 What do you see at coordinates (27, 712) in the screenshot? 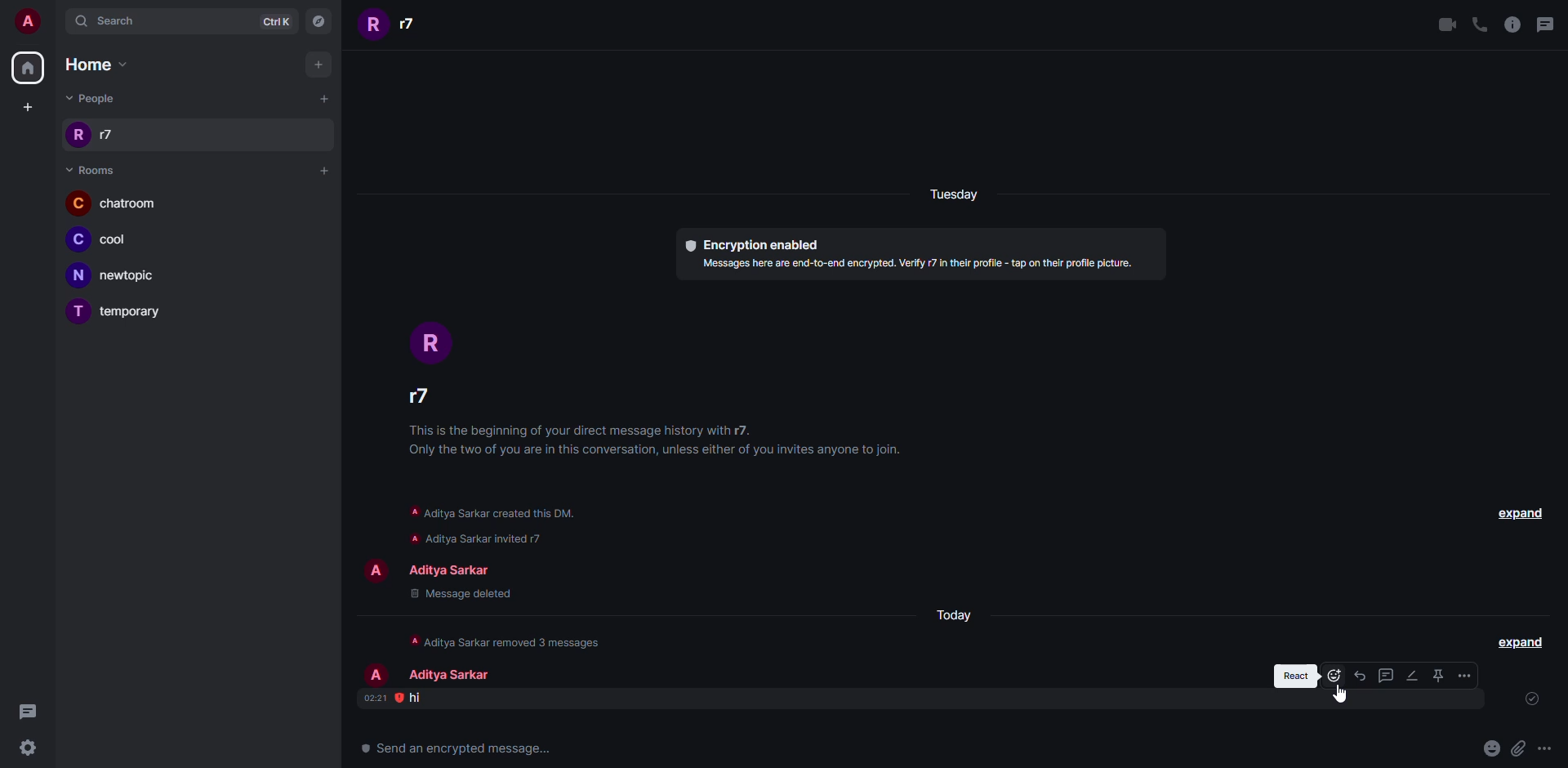
I see `threads` at bounding box center [27, 712].